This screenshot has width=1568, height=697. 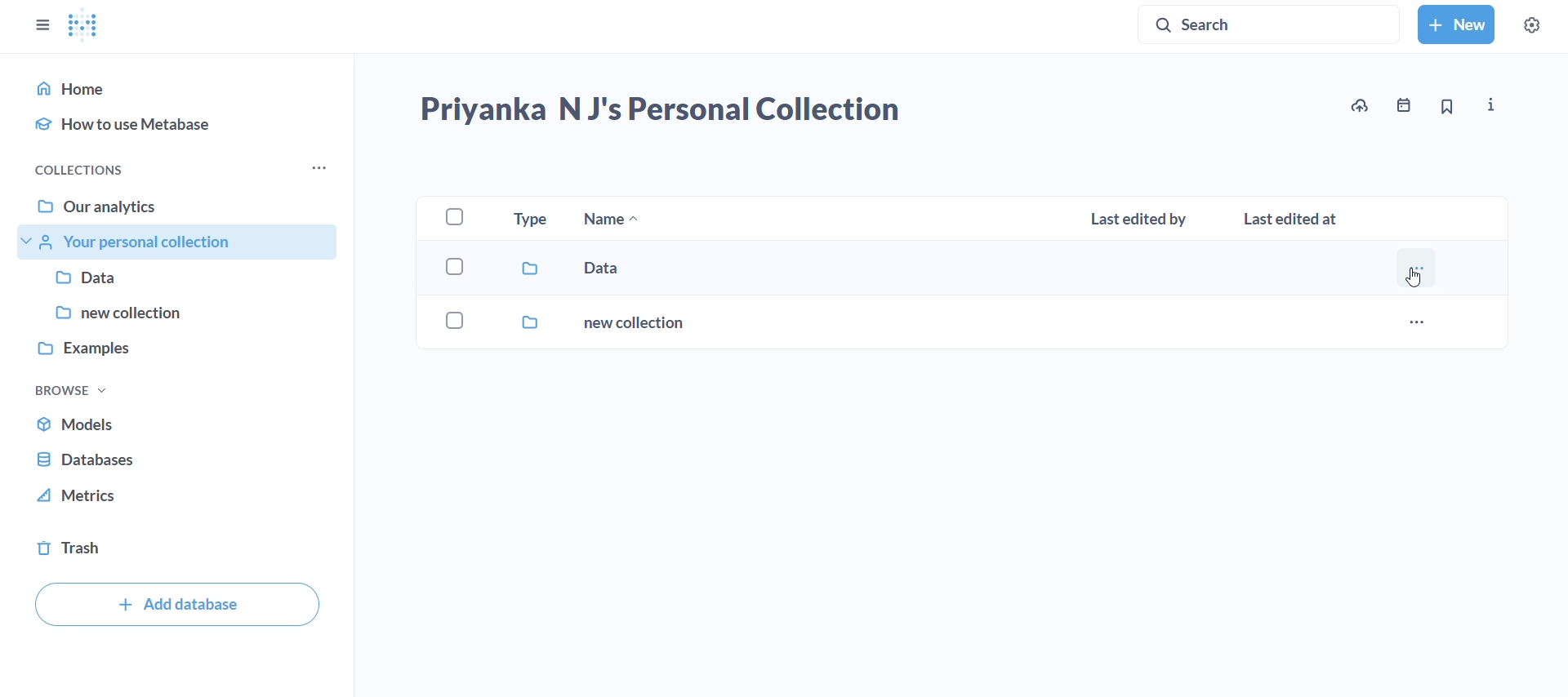 I want to click on browse, so click(x=76, y=392).